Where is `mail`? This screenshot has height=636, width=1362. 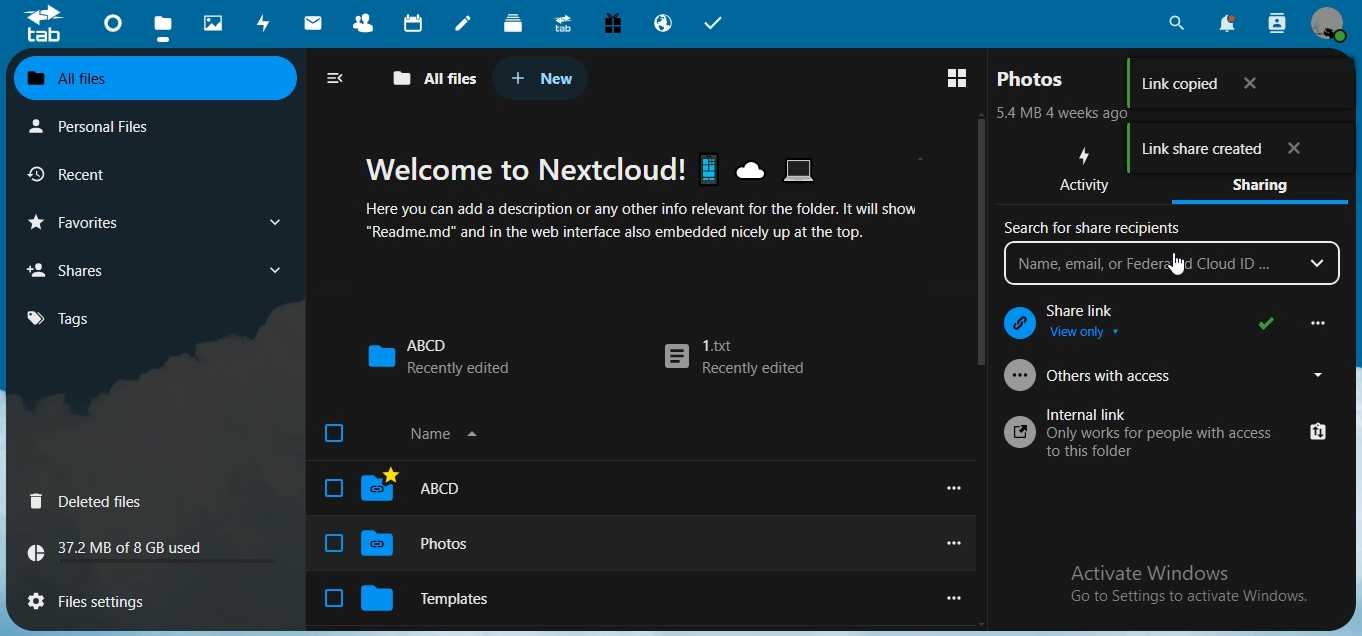 mail is located at coordinates (316, 25).